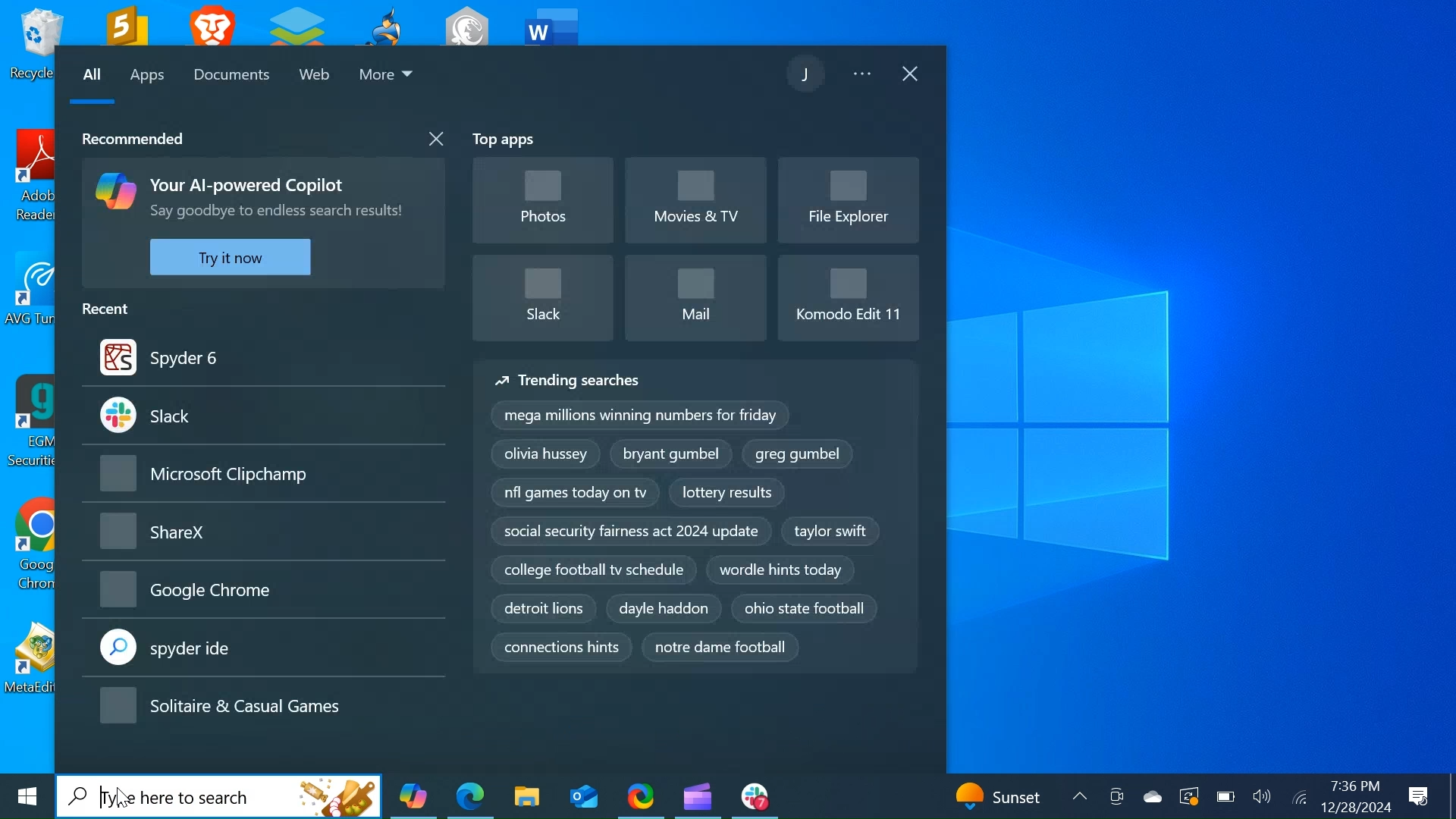  I want to click on Movies & TV, so click(695, 200).